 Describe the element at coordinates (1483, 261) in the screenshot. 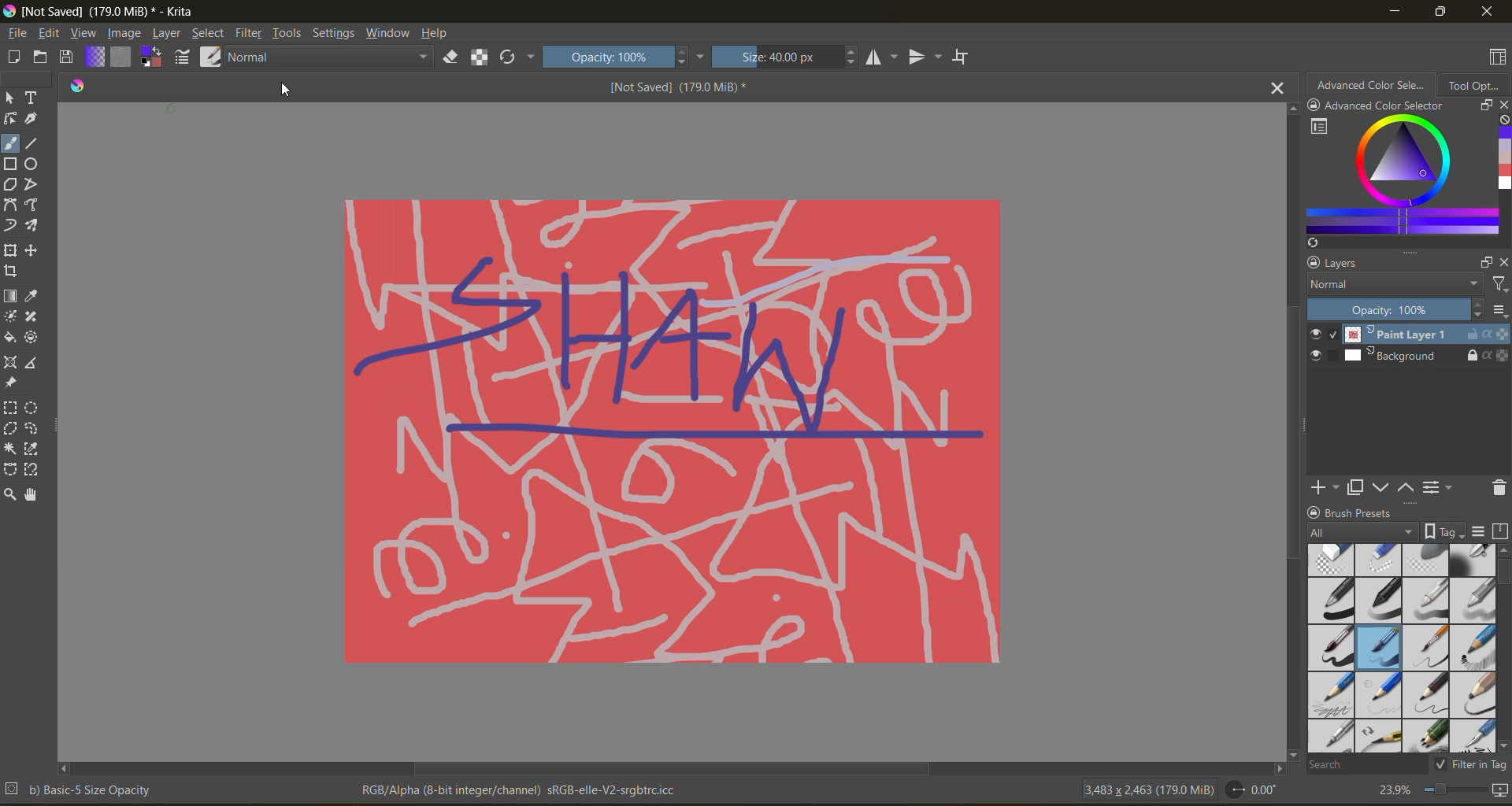

I see `float docker` at that location.